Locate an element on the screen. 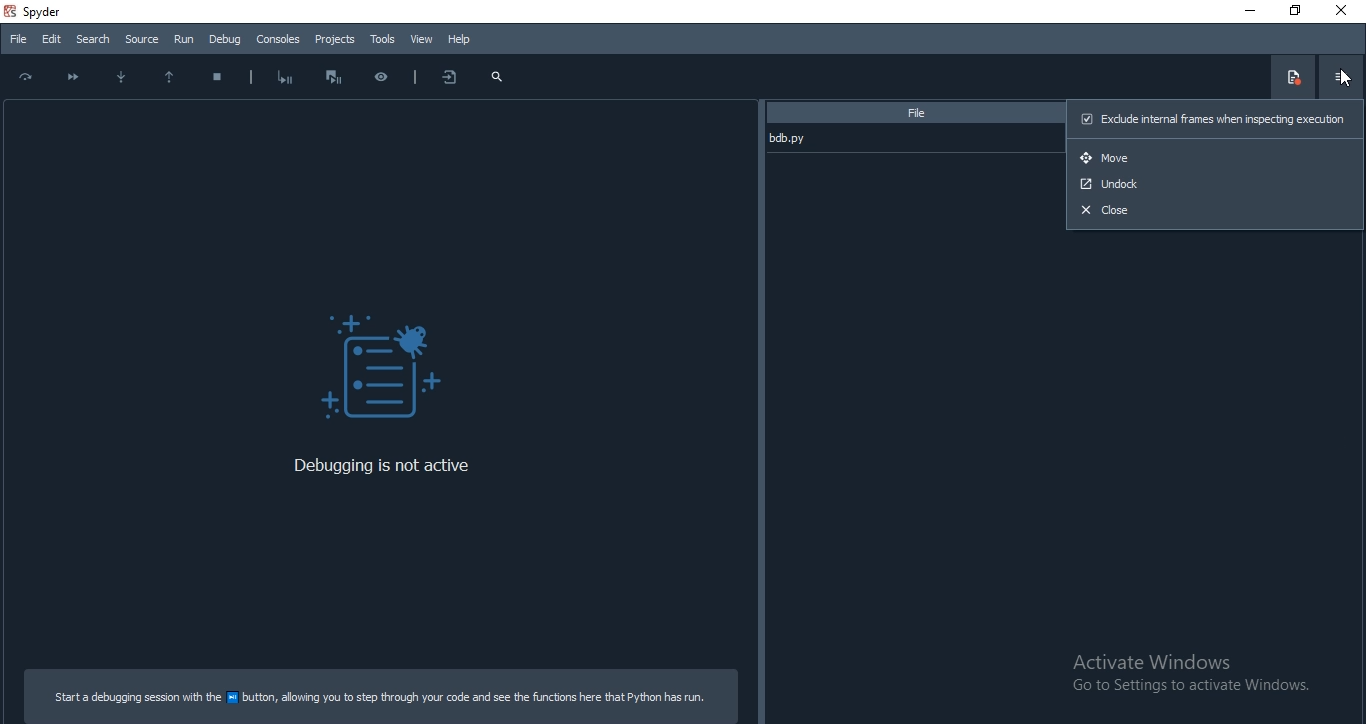  View is located at coordinates (421, 40).